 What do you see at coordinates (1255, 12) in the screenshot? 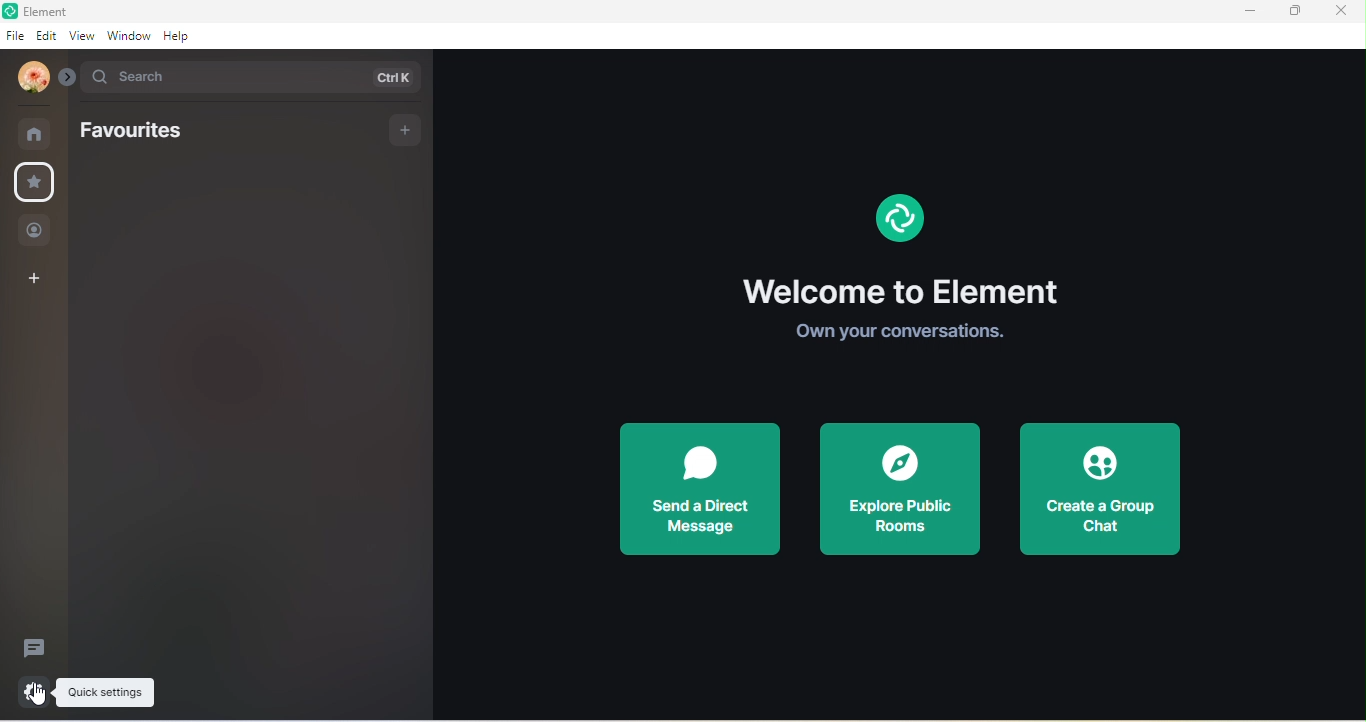
I see `minimize` at bounding box center [1255, 12].